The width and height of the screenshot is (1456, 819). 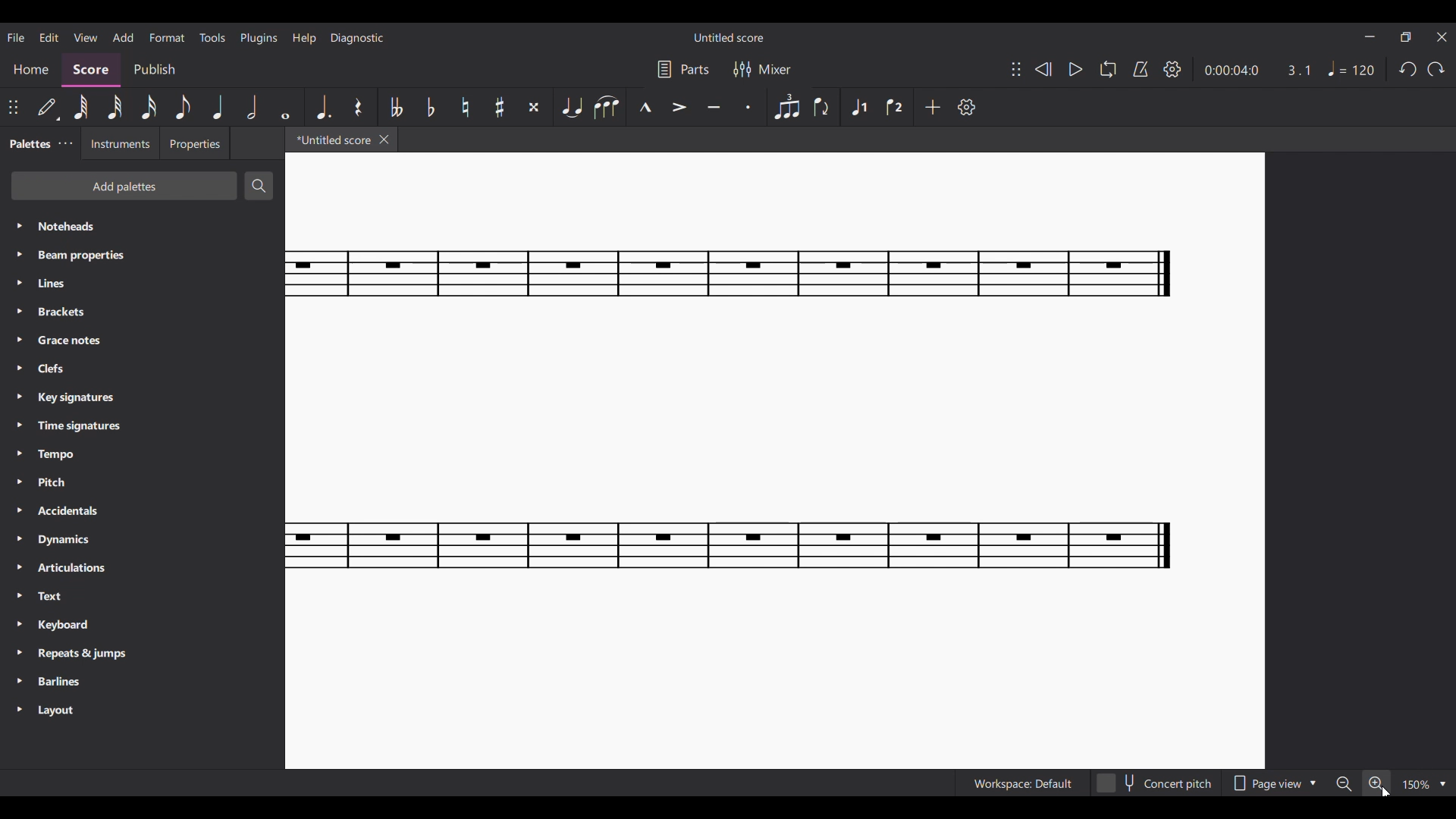 I want to click on Whole note, so click(x=285, y=107).